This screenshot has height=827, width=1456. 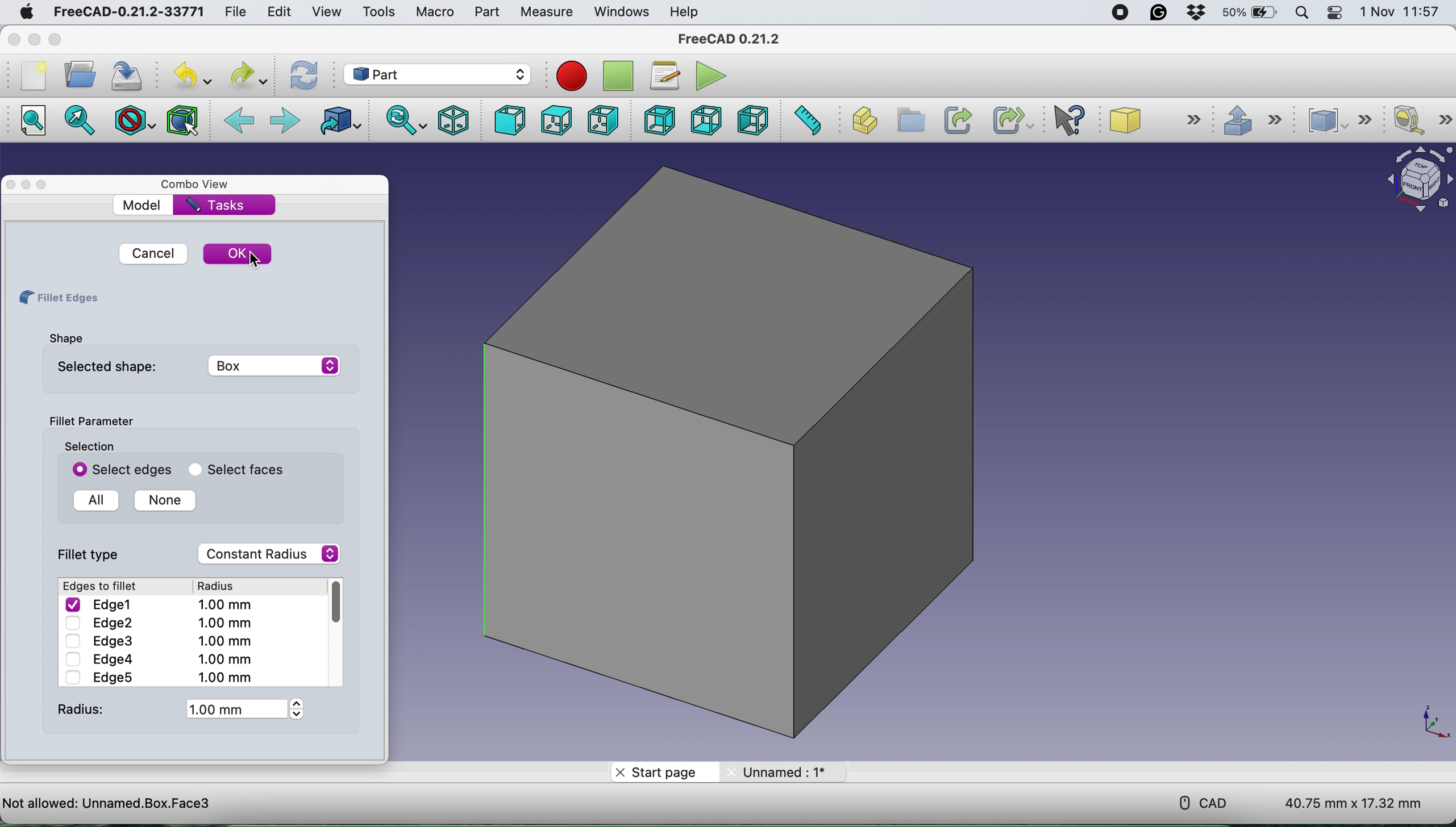 What do you see at coordinates (84, 120) in the screenshot?
I see `fit all selection` at bounding box center [84, 120].